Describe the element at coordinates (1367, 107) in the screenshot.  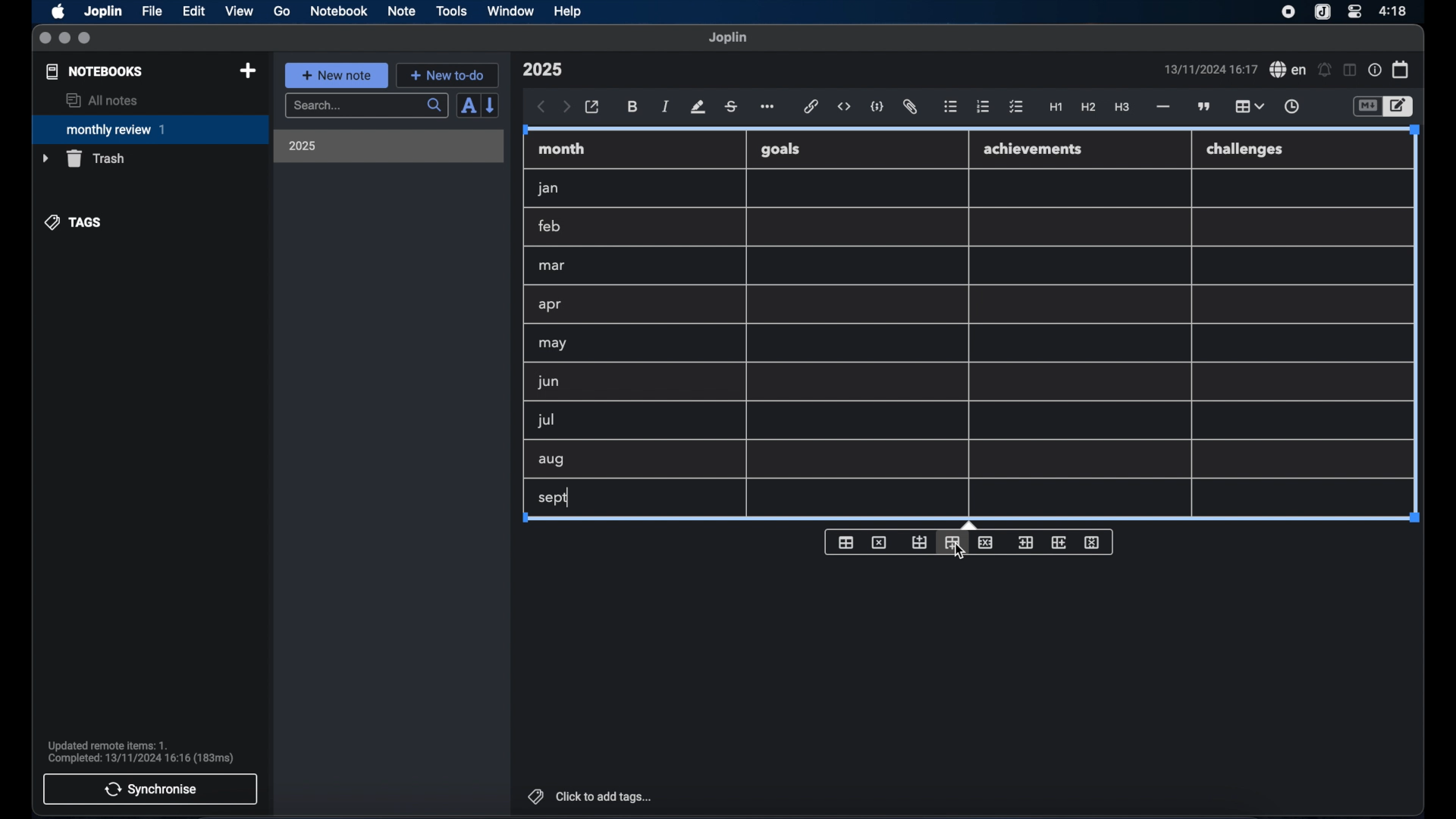
I see `toggle editor` at that location.